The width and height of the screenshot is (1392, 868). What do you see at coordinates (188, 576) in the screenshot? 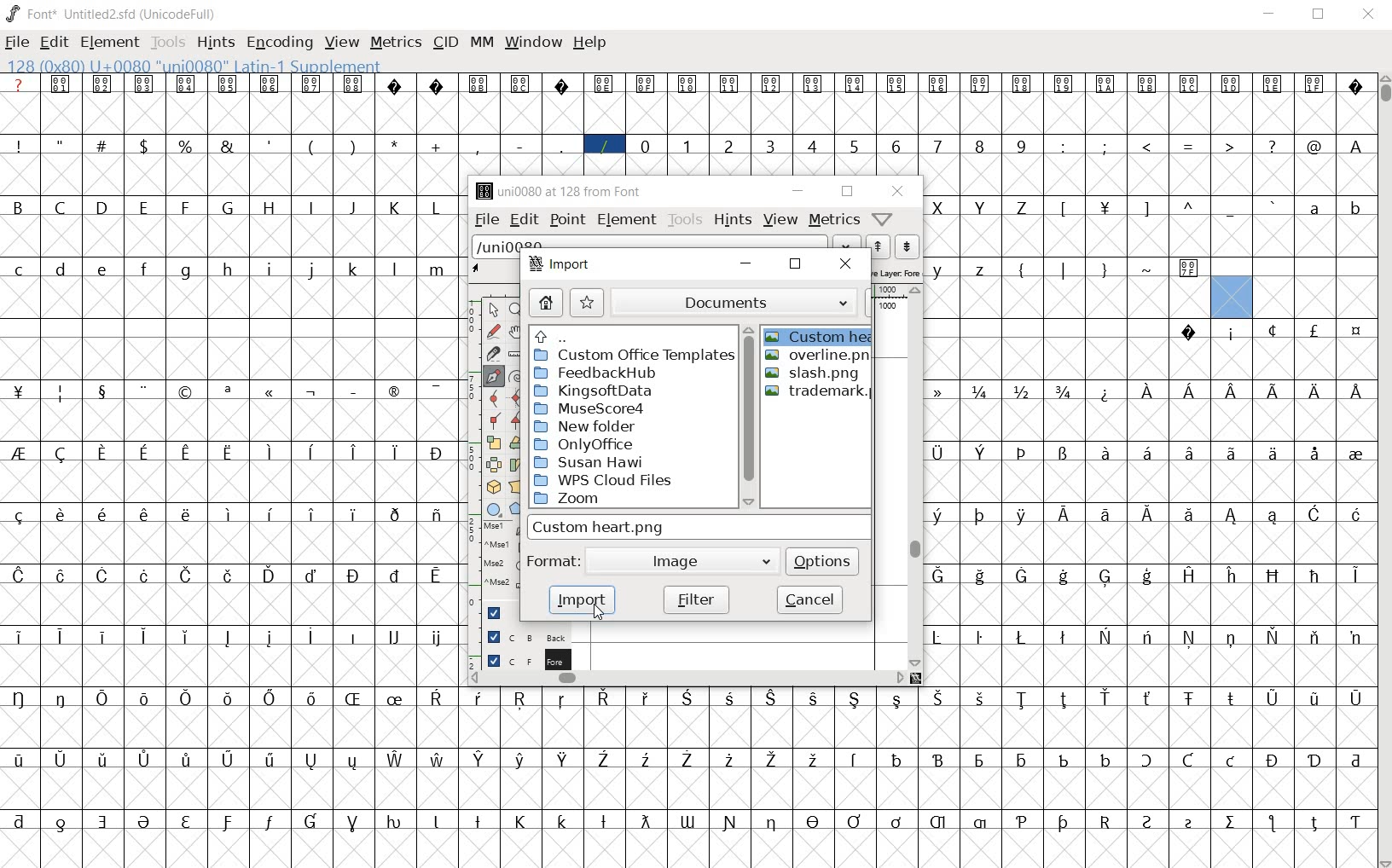
I see `glyph` at bounding box center [188, 576].